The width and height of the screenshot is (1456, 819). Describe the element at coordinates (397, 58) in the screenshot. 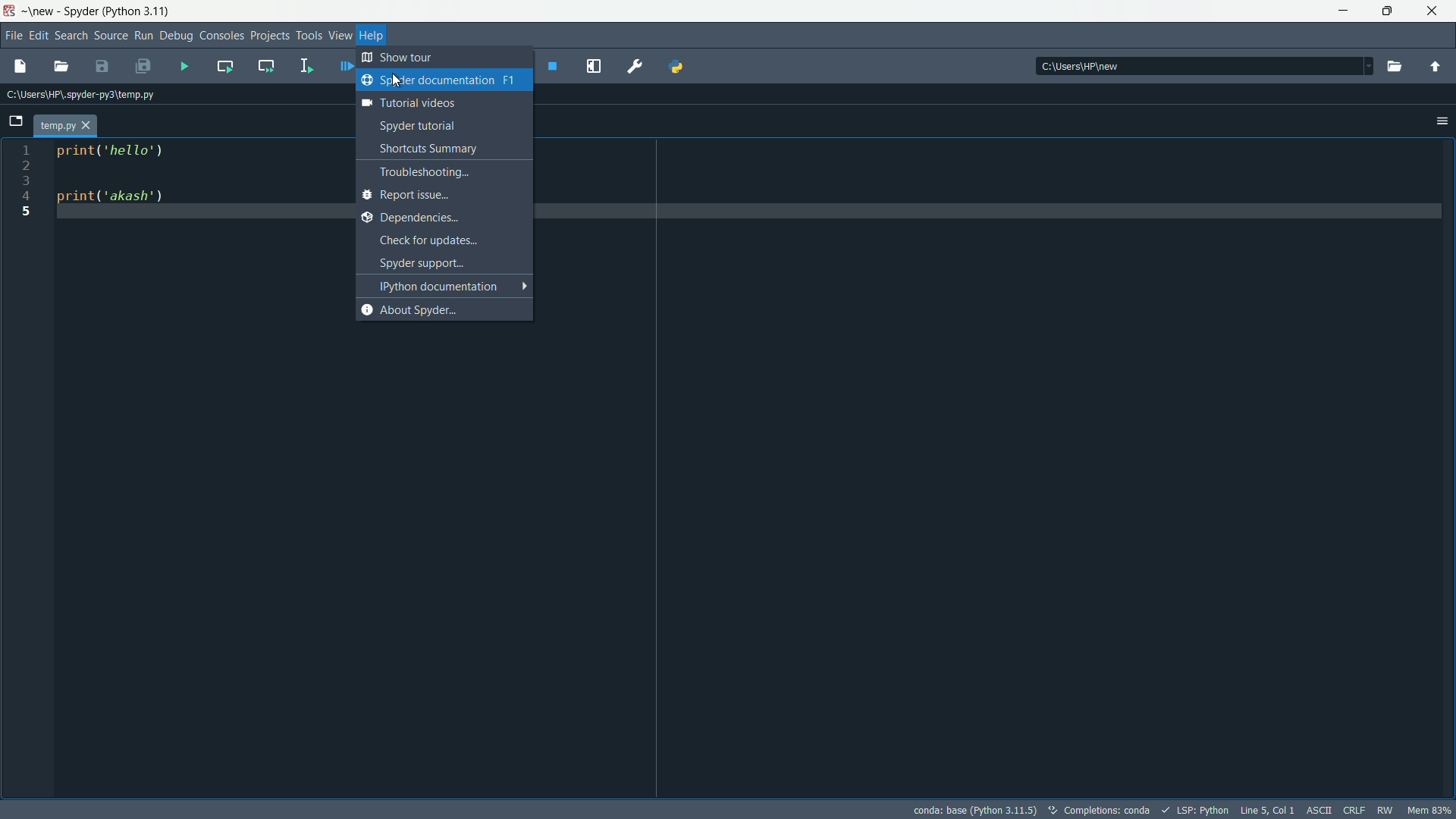

I see `show tour` at that location.